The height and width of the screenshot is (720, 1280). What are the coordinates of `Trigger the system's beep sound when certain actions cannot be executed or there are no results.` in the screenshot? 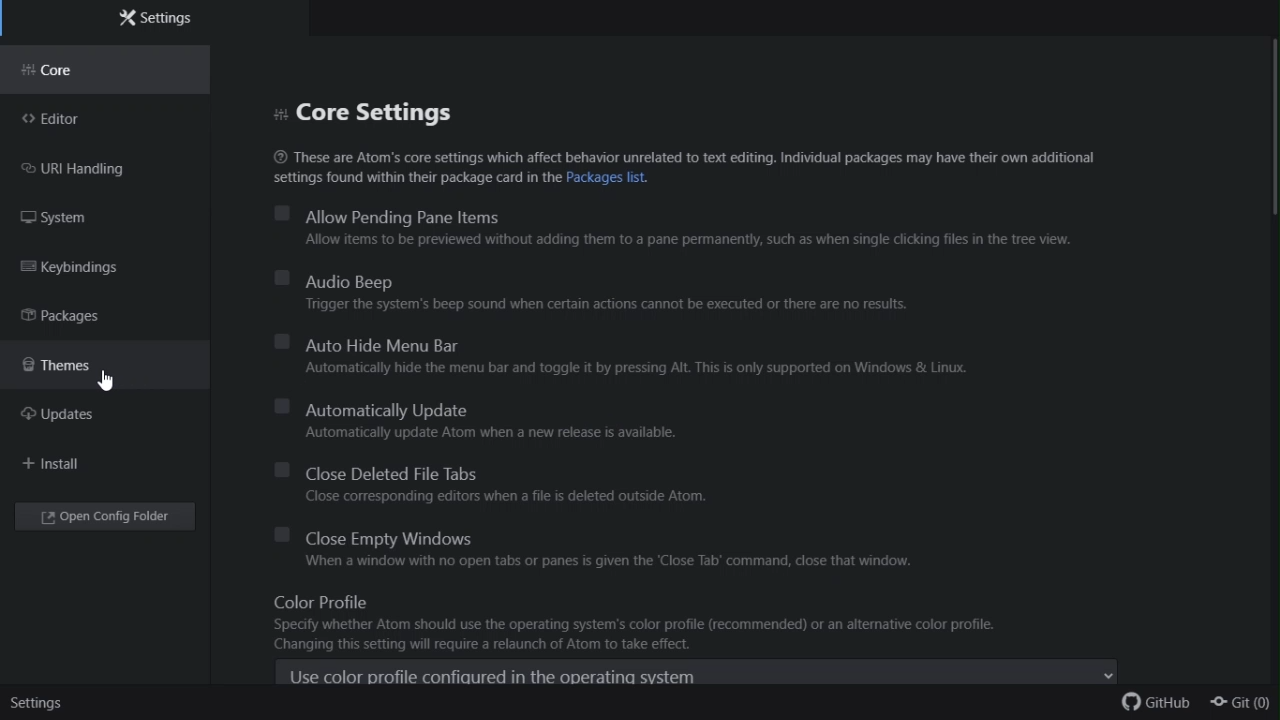 It's located at (609, 305).